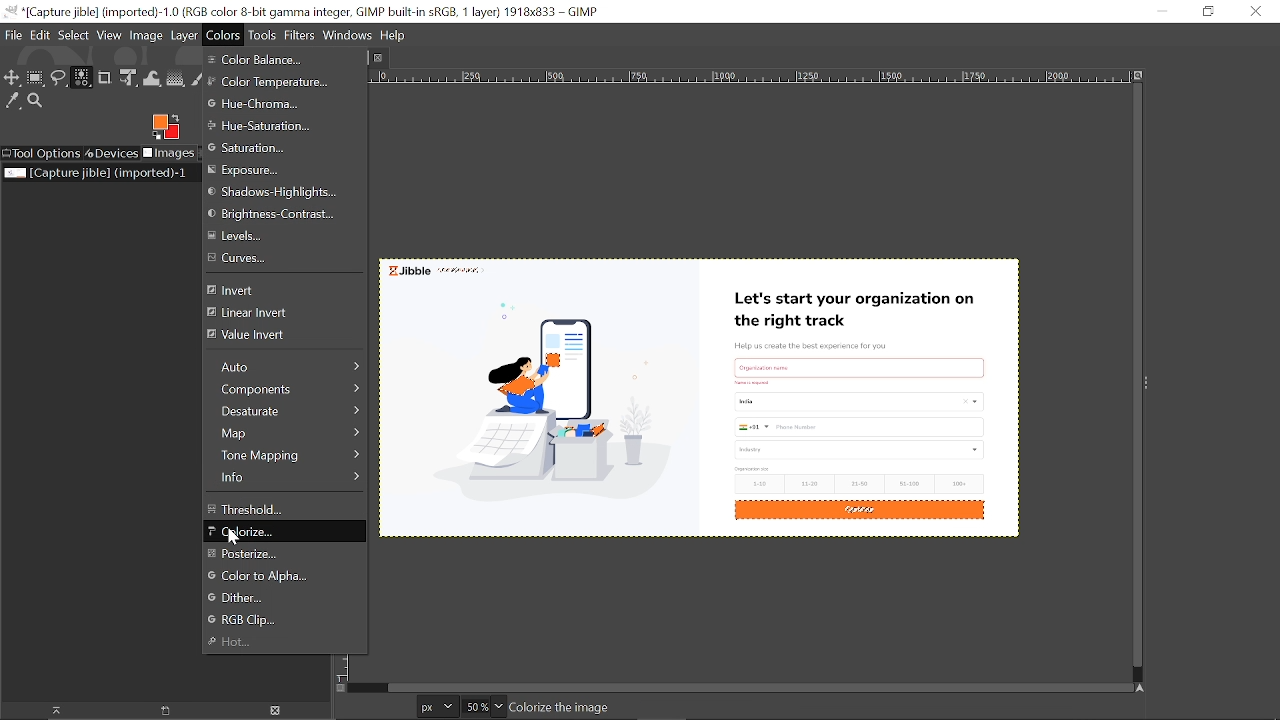  What do you see at coordinates (270, 84) in the screenshot?
I see `Color temperature` at bounding box center [270, 84].